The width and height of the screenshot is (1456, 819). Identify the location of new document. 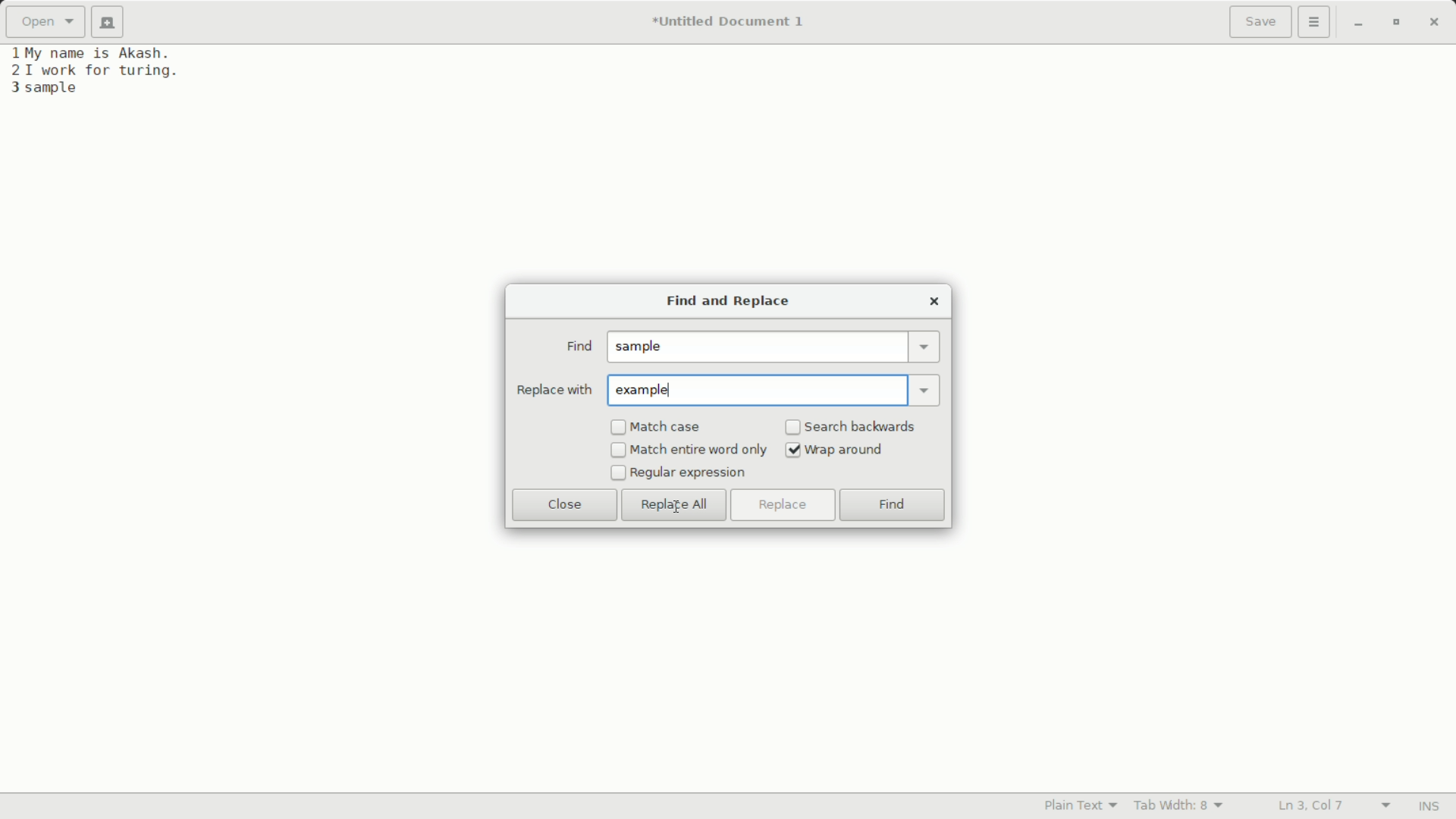
(112, 22).